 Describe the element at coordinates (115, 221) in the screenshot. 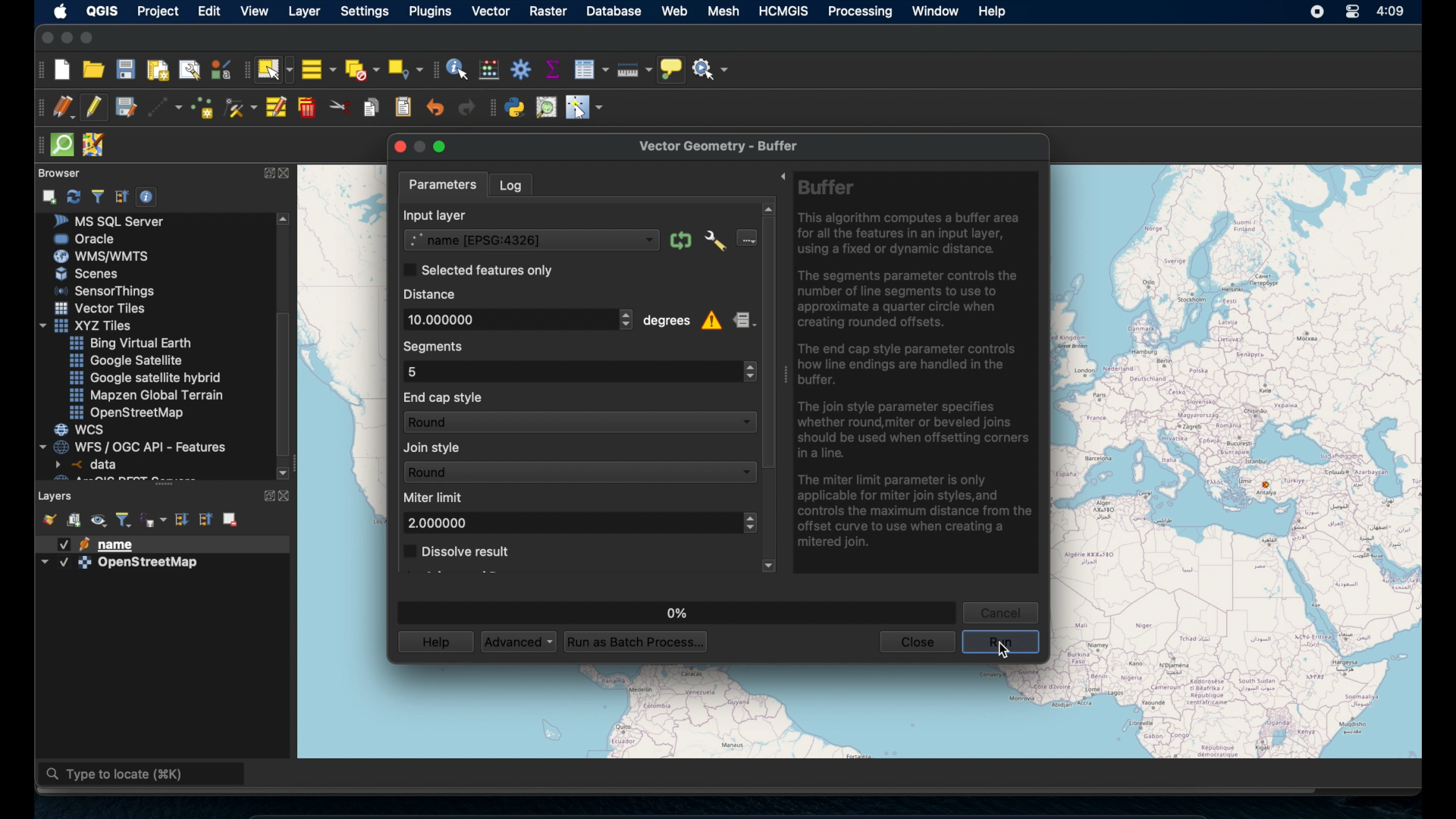

I see `ms sql server` at that location.